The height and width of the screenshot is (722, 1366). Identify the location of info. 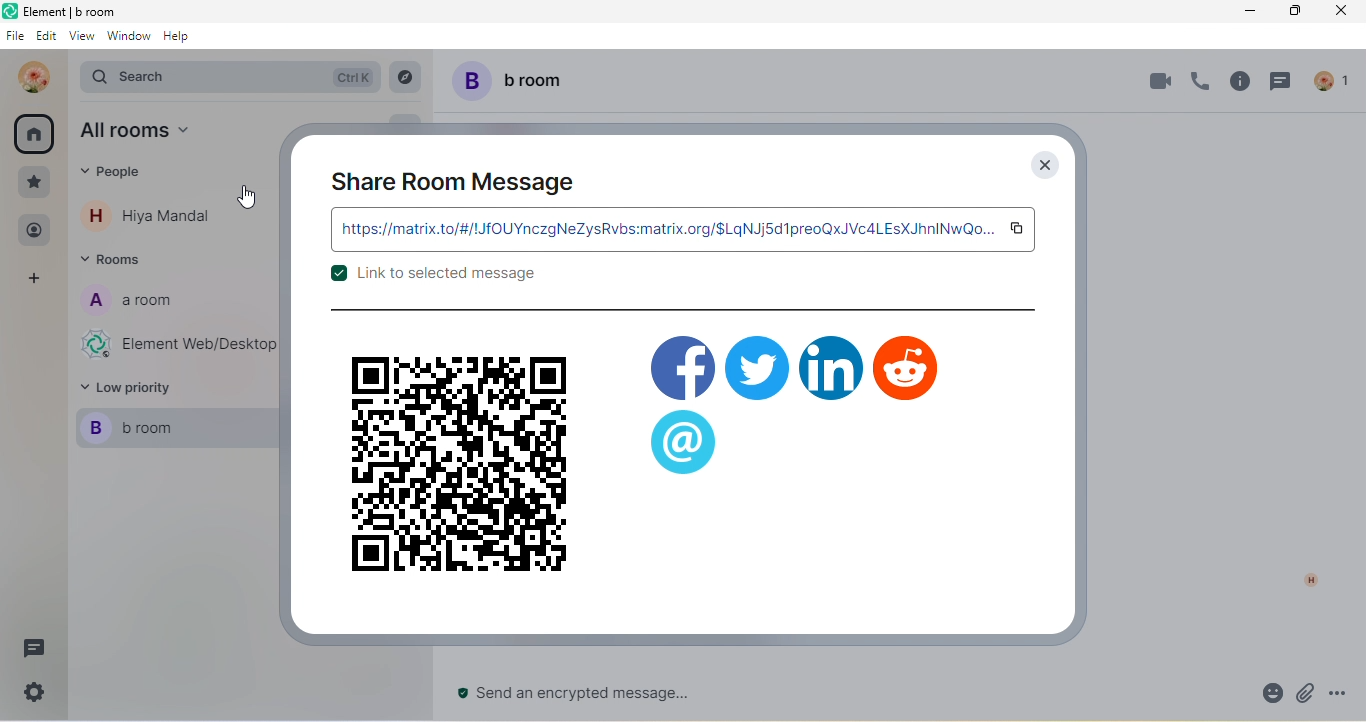
(1238, 85).